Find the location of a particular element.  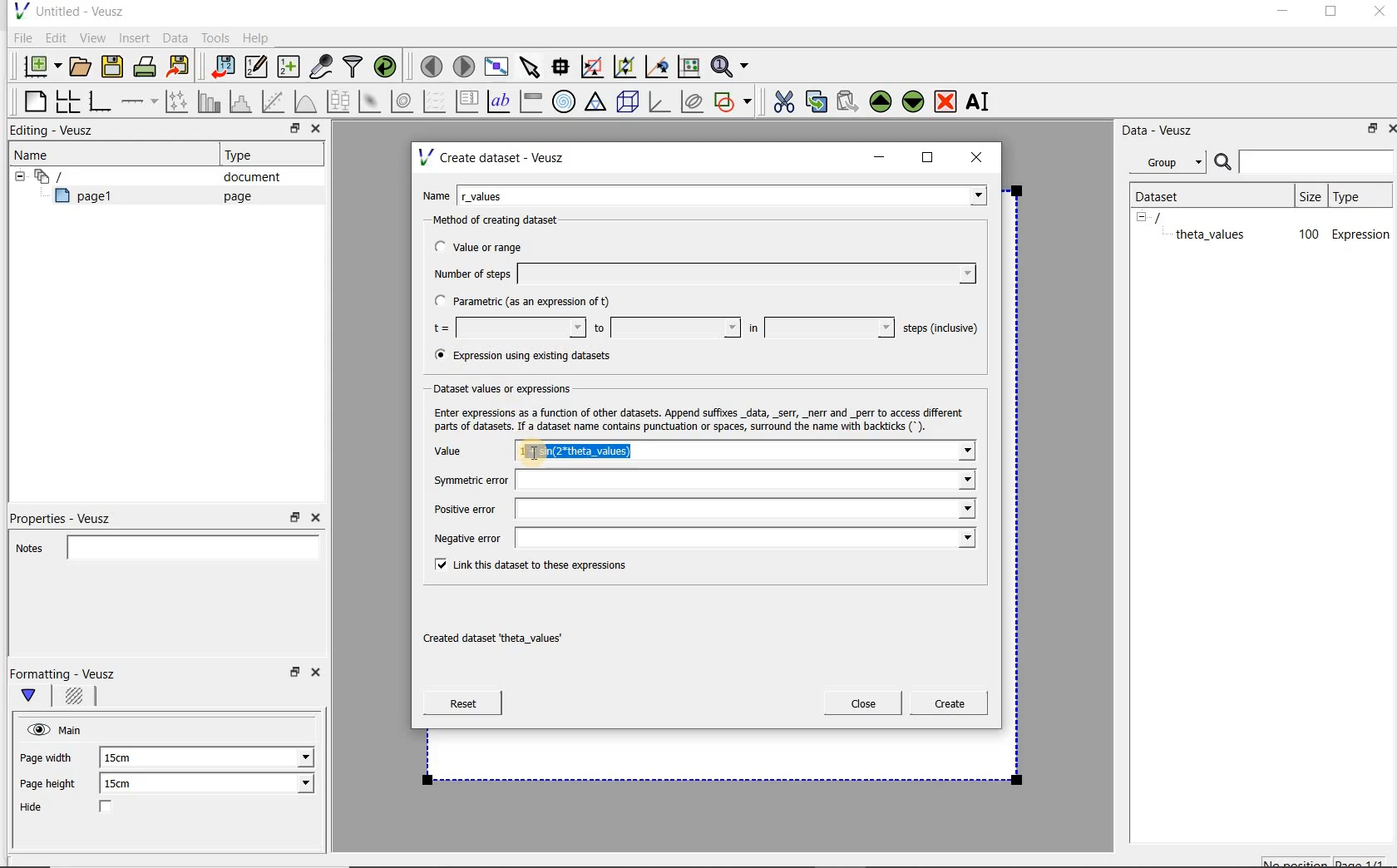

Close is located at coordinates (314, 131).